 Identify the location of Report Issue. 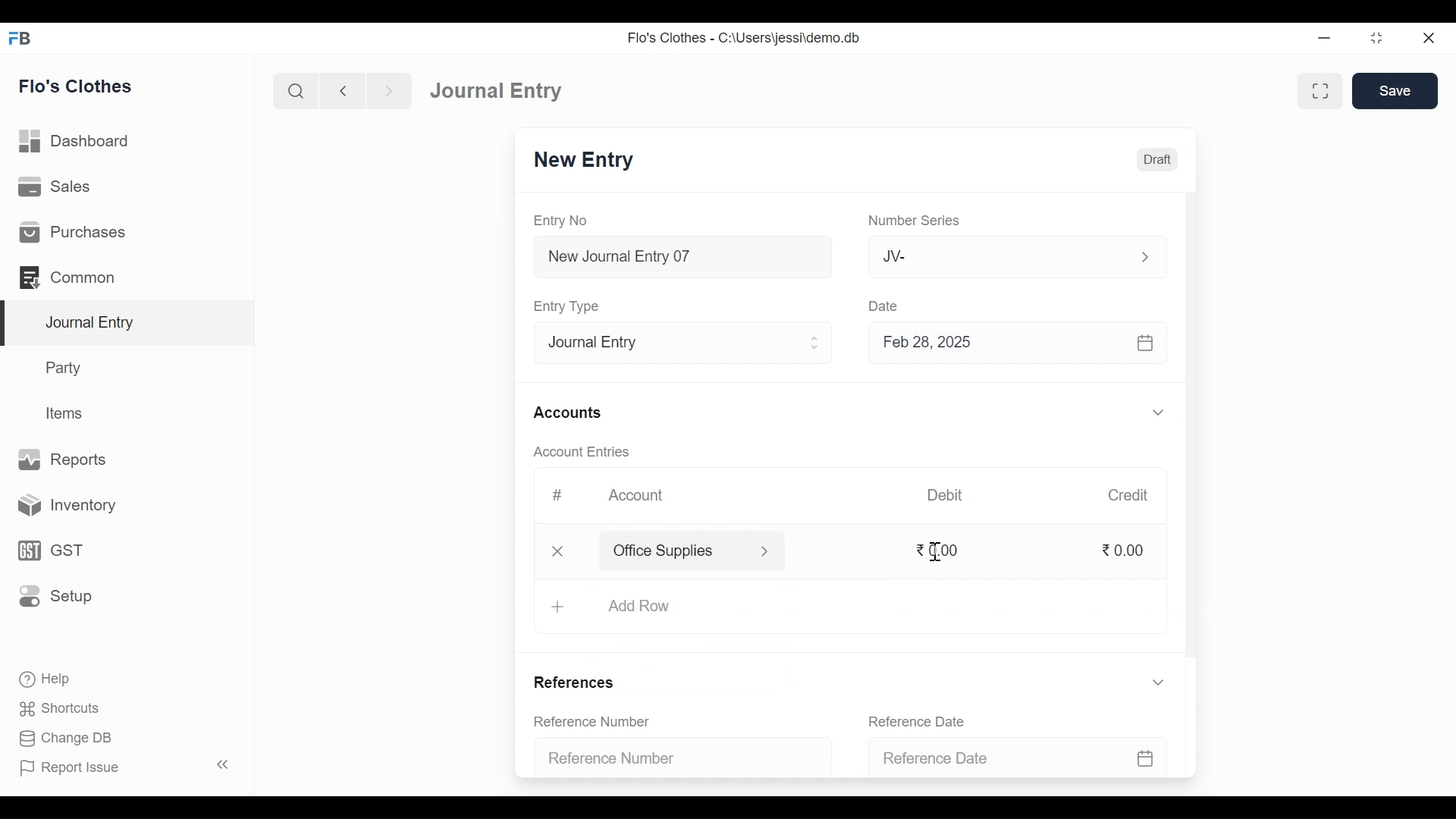
(69, 767).